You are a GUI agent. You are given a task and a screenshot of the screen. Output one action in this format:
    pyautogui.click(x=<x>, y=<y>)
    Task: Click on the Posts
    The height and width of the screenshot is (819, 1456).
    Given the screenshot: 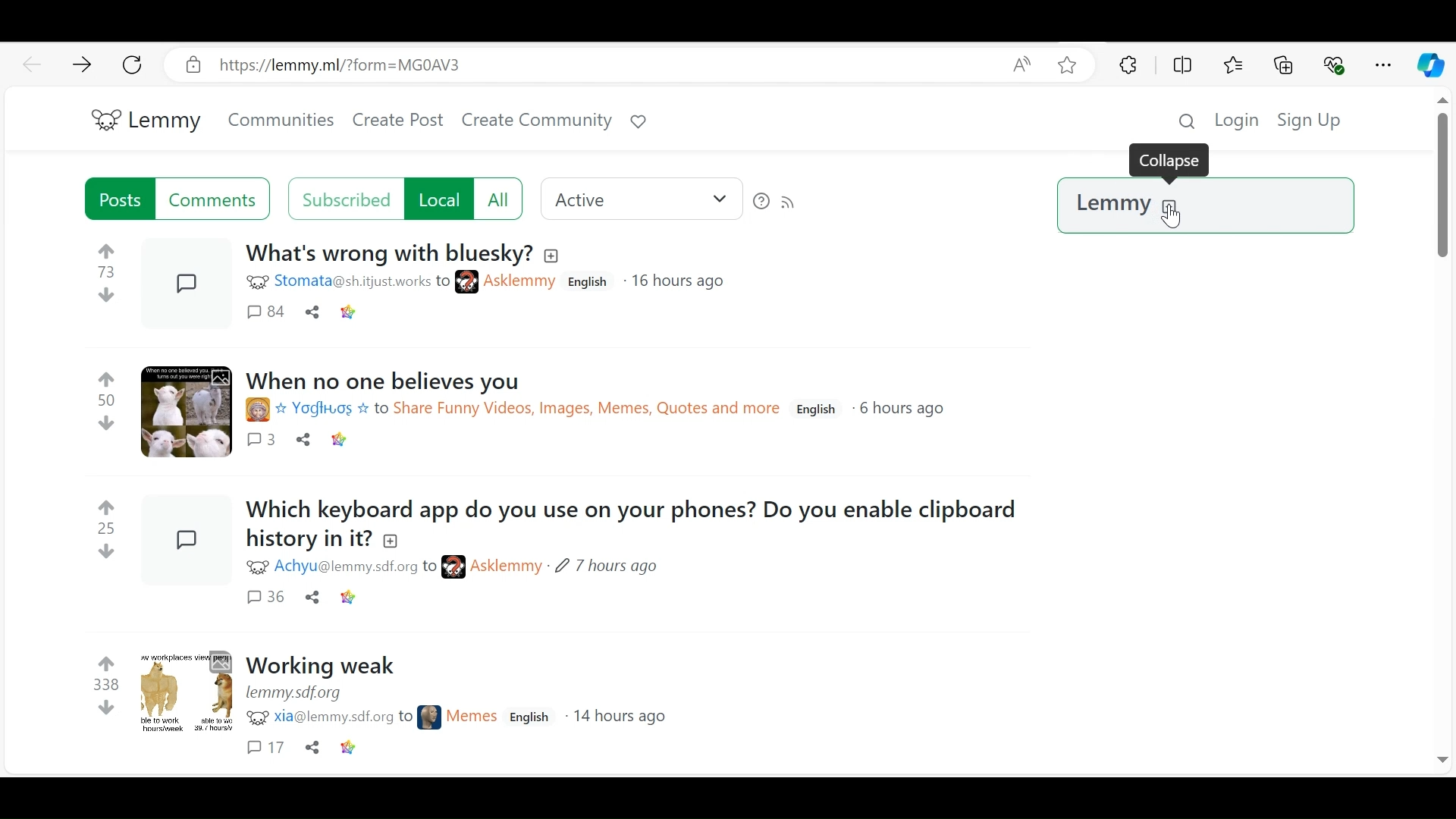 What is the action you would take?
    pyautogui.click(x=183, y=412)
    